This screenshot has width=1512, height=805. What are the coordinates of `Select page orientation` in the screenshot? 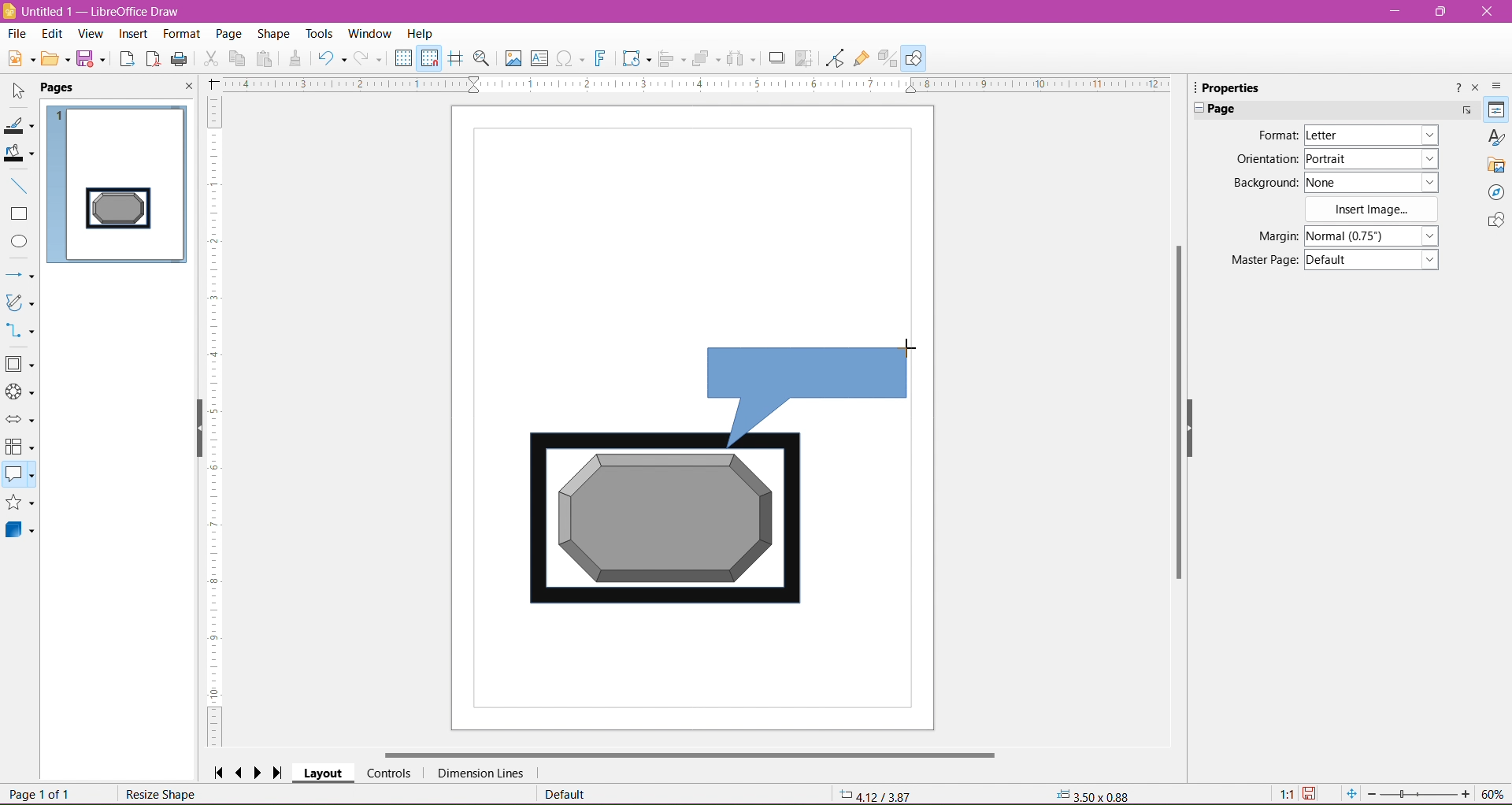 It's located at (1374, 158).